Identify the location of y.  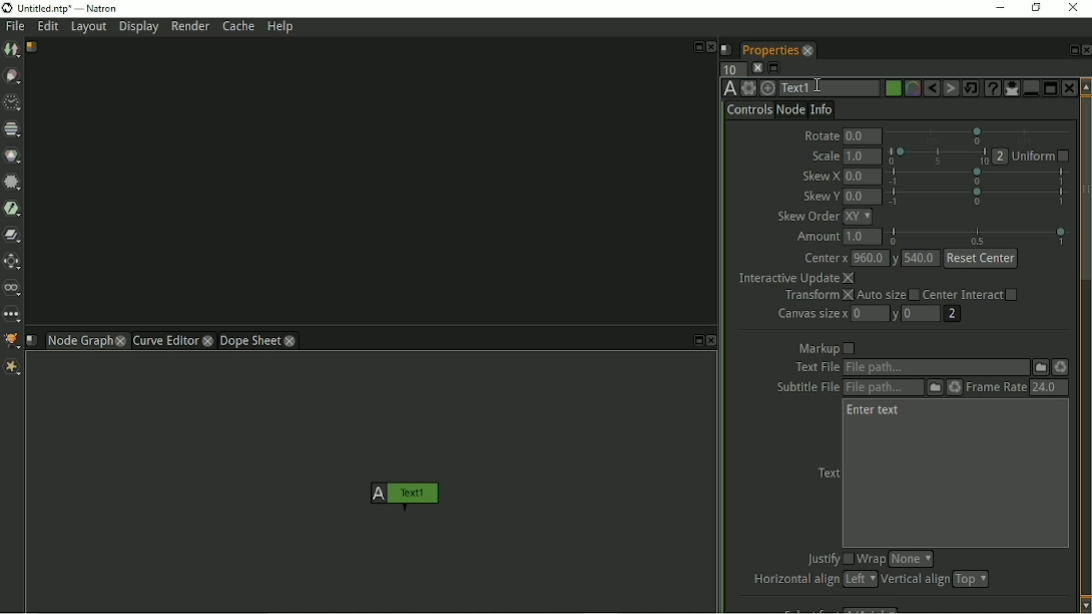
(896, 258).